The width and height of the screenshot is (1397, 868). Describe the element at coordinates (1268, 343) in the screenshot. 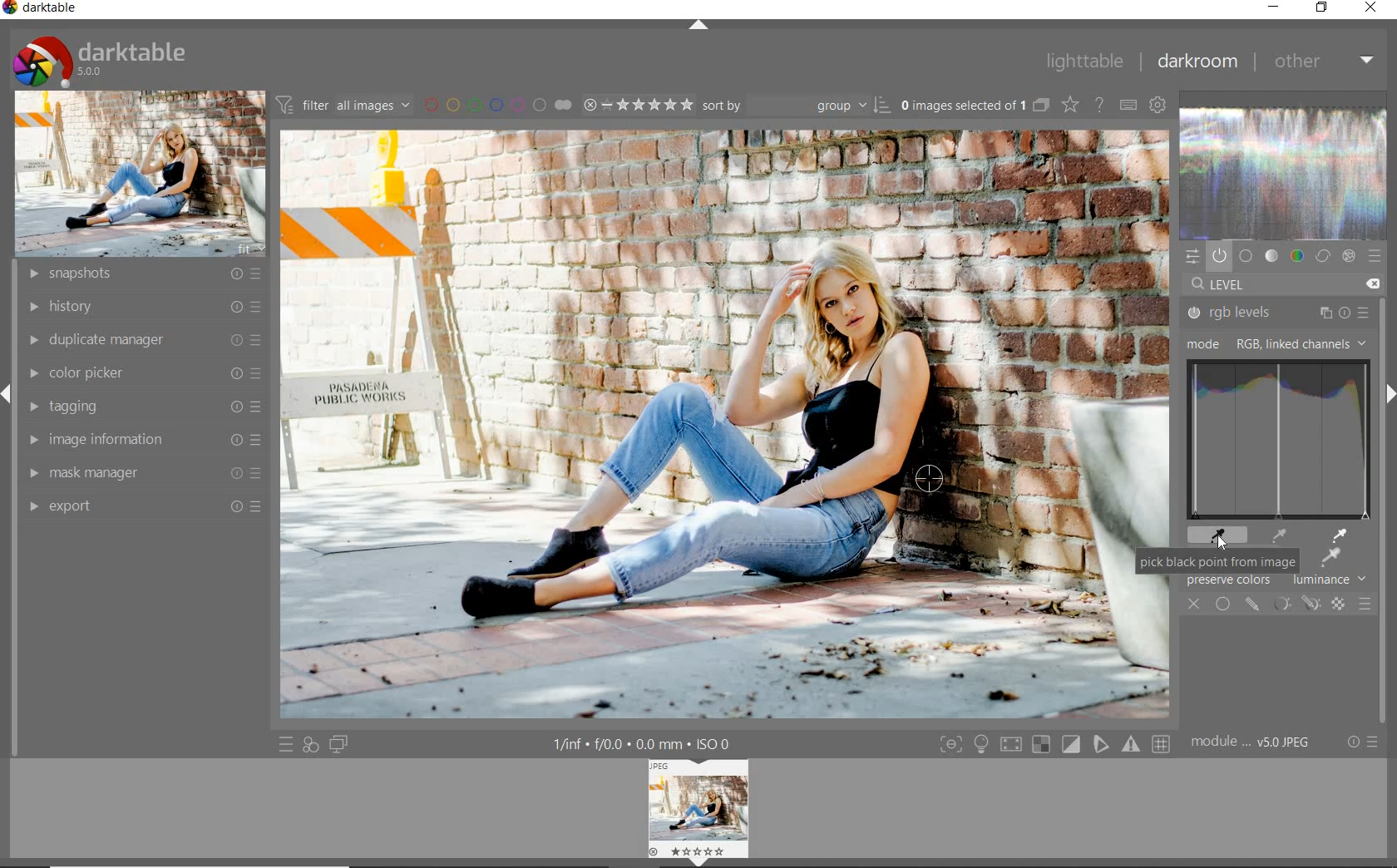

I see `mode: RGB, LINKED CHANNELS` at that location.